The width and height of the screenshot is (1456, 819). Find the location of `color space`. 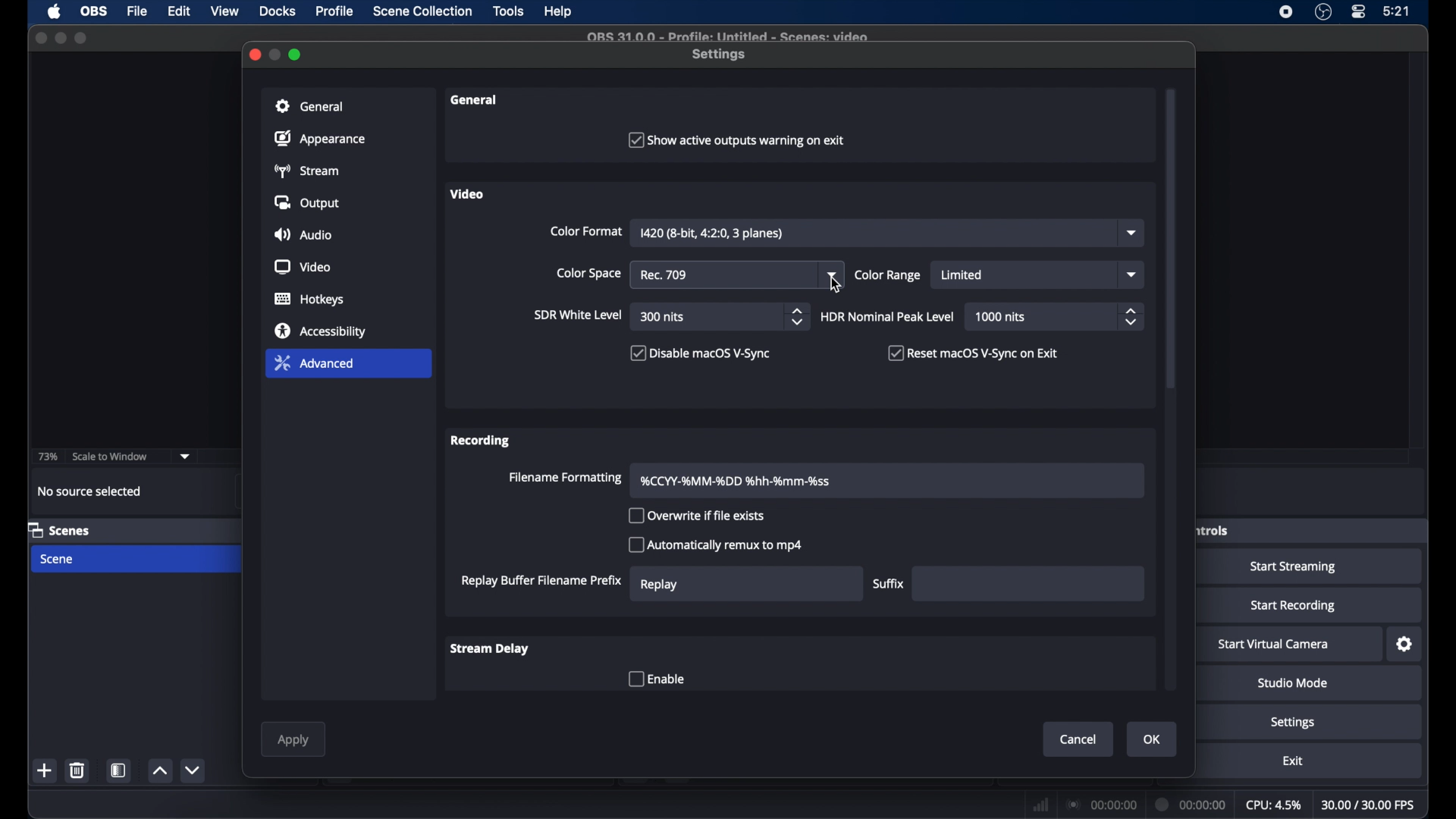

color space is located at coordinates (588, 273).